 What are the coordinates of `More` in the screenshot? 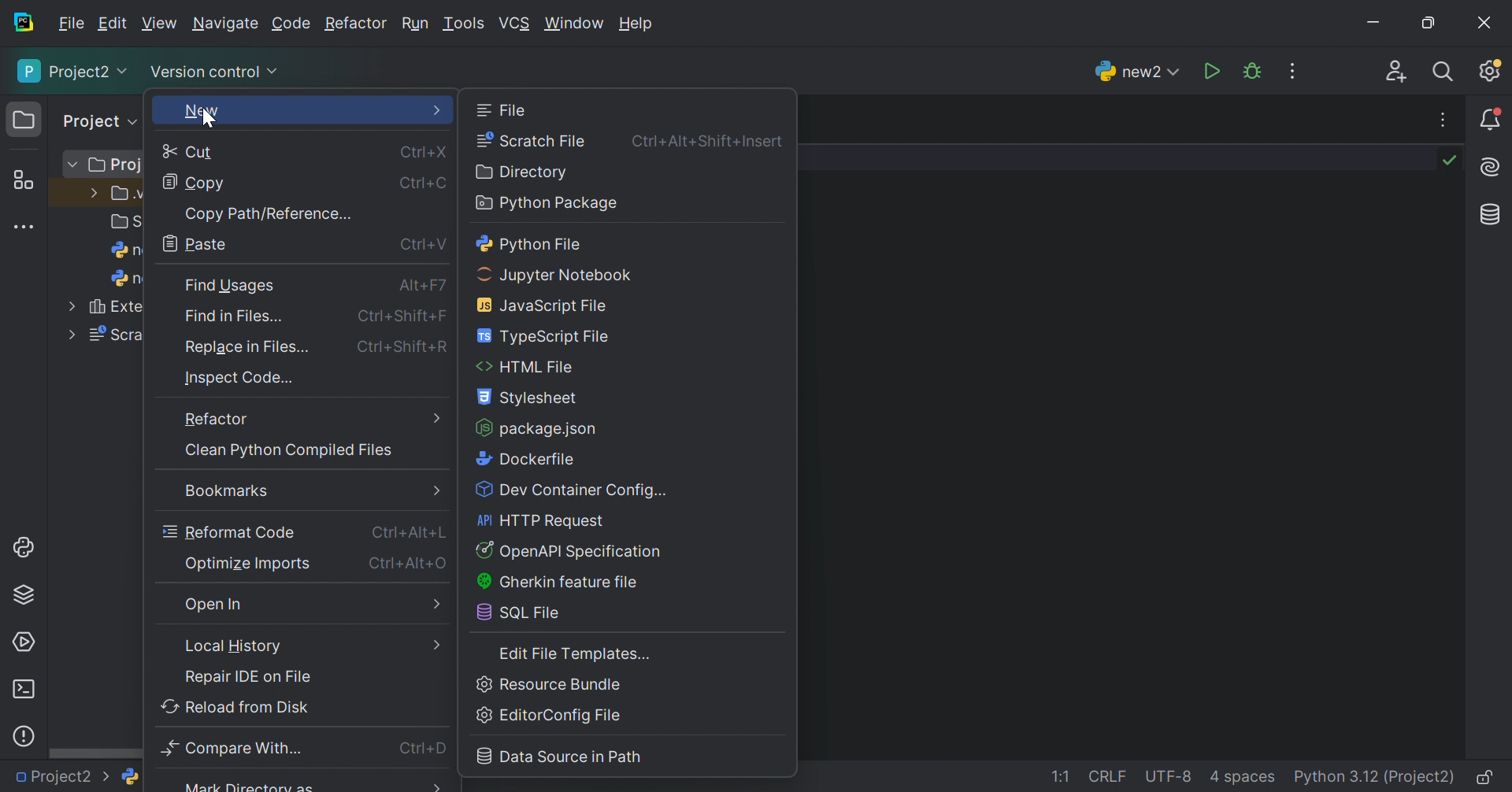 It's located at (70, 162).